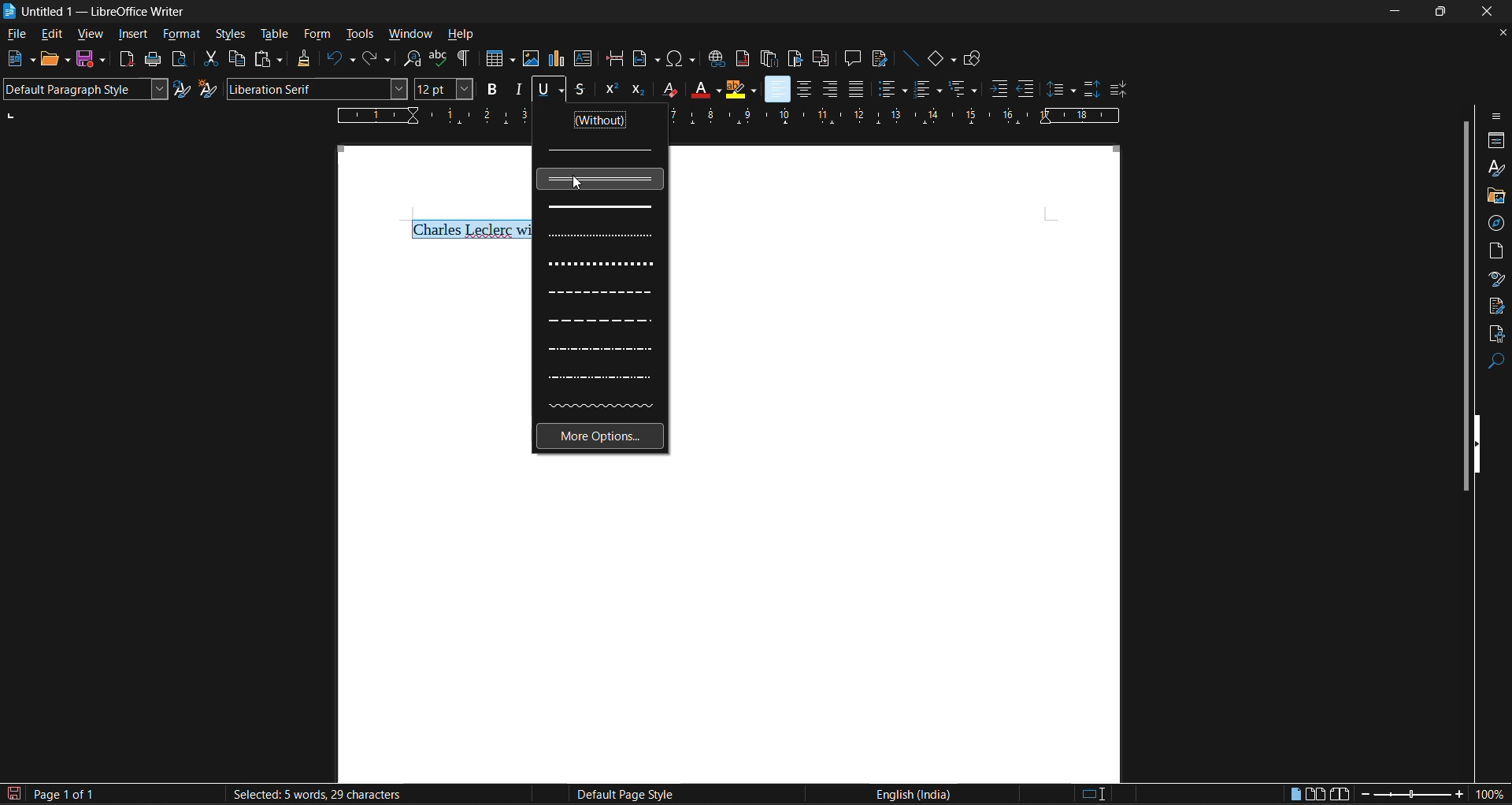  Describe the element at coordinates (232, 35) in the screenshot. I see `styles` at that location.